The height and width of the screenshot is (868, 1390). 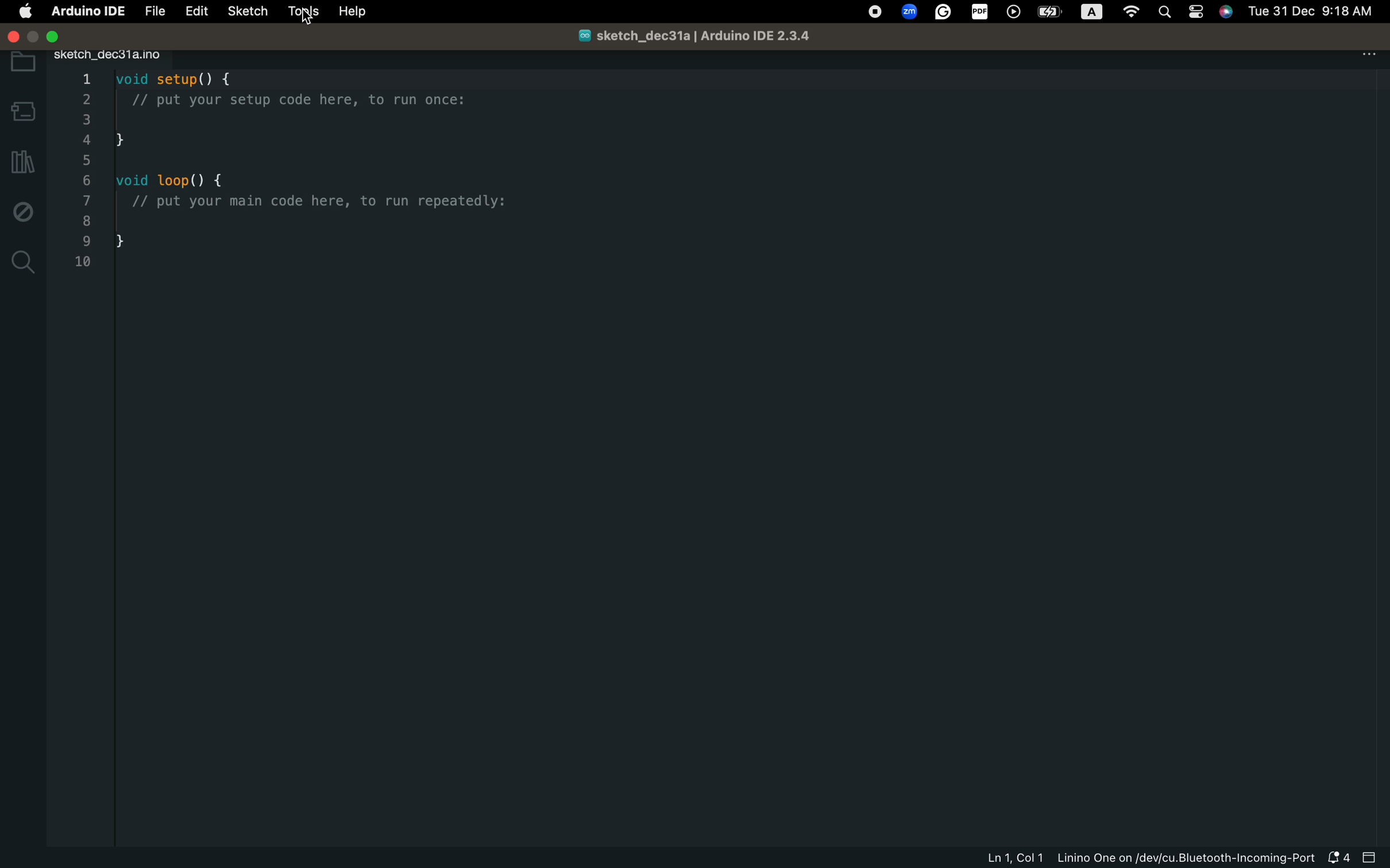 I want to click on cursor, so click(x=313, y=17).